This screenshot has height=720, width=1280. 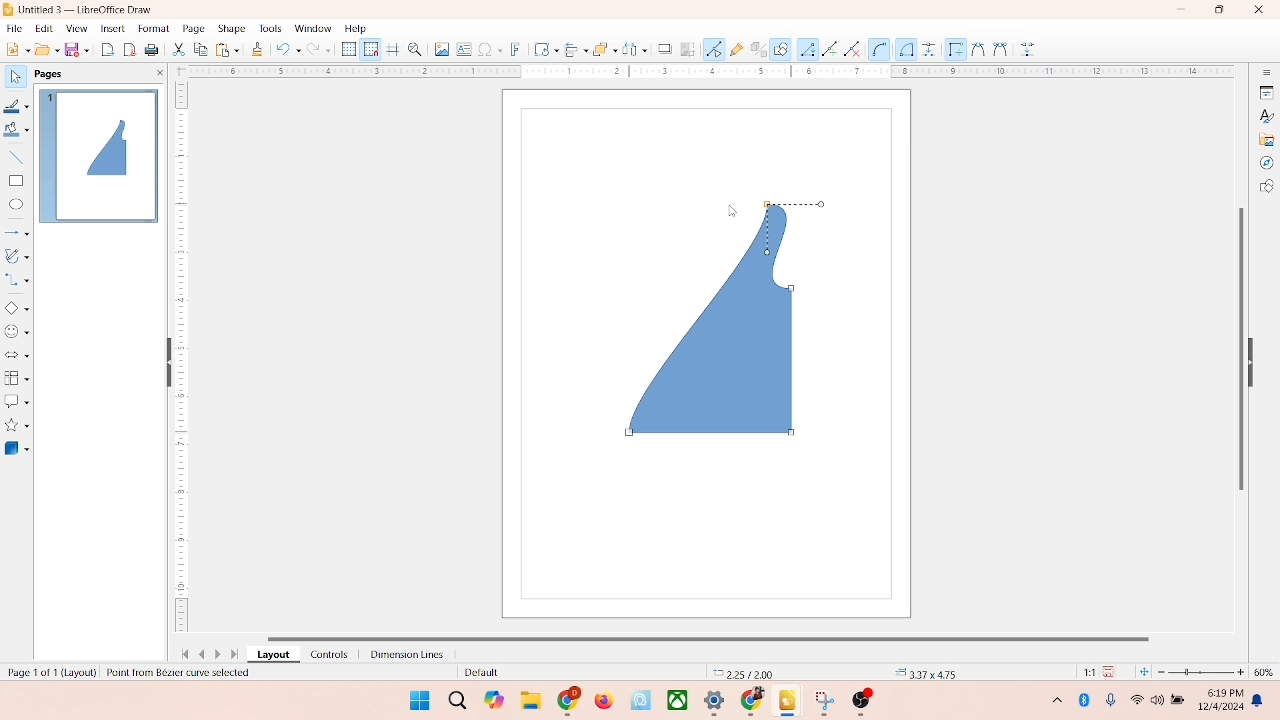 What do you see at coordinates (572, 47) in the screenshot?
I see `allign` at bounding box center [572, 47].